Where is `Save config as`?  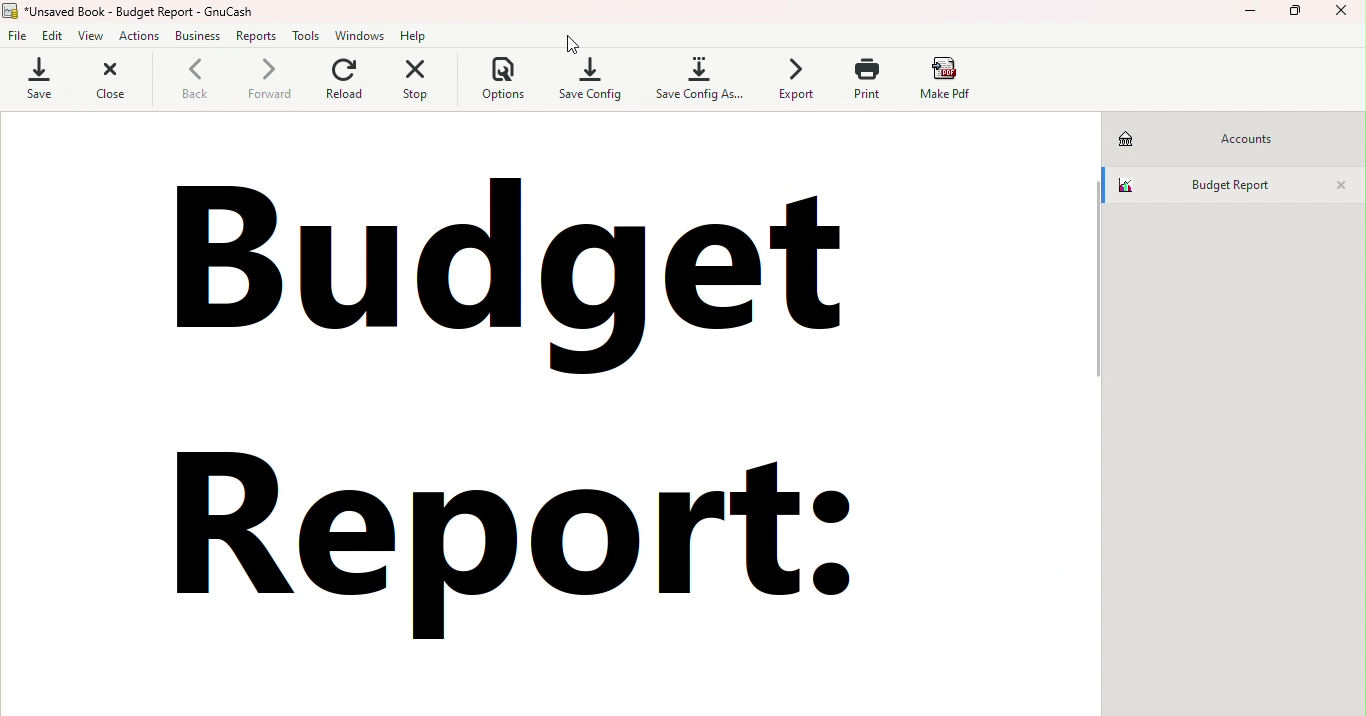 Save config as is located at coordinates (702, 79).